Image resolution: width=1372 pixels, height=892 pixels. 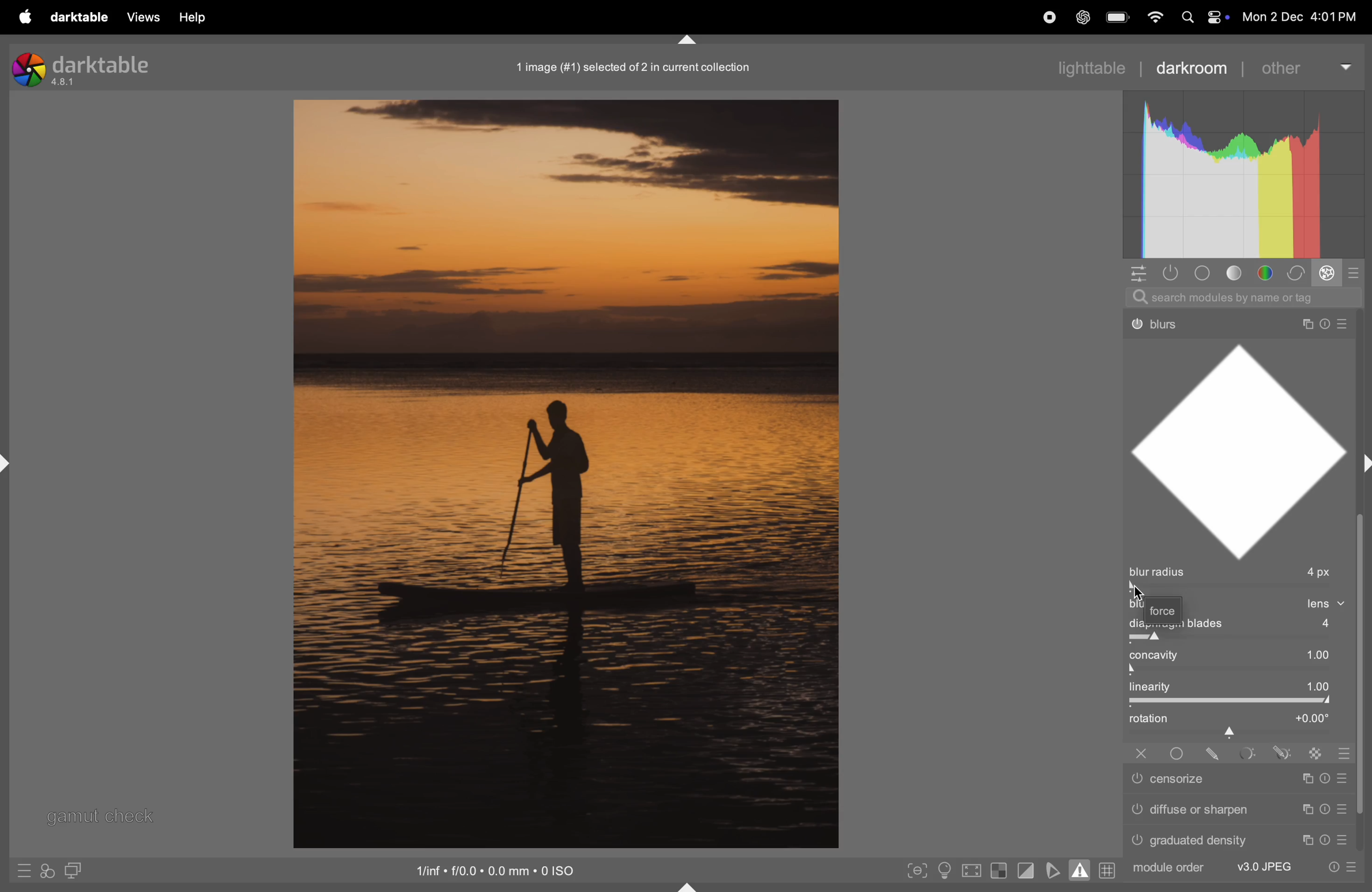 I want to click on darktable version, so click(x=80, y=68).